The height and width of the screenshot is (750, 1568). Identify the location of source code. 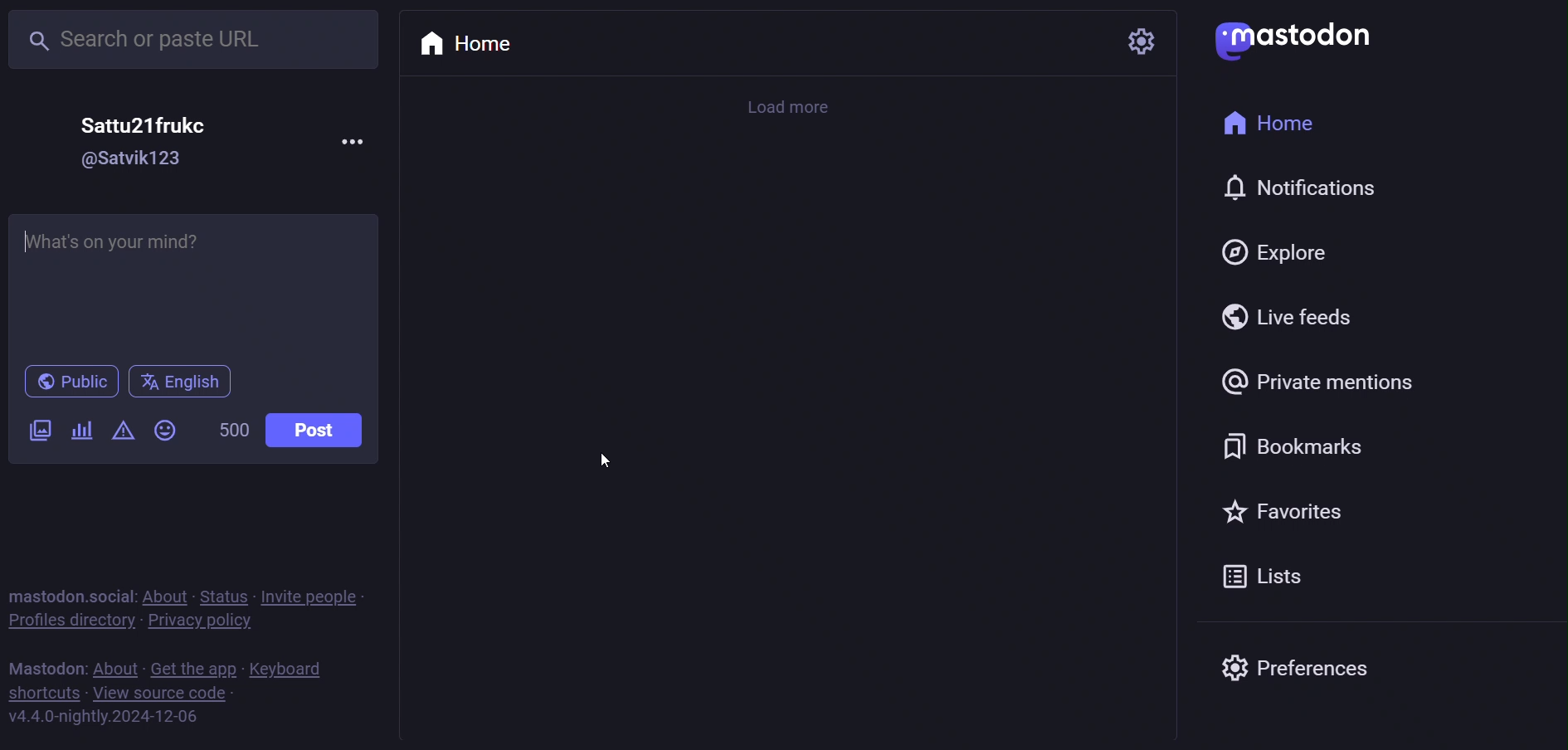
(160, 695).